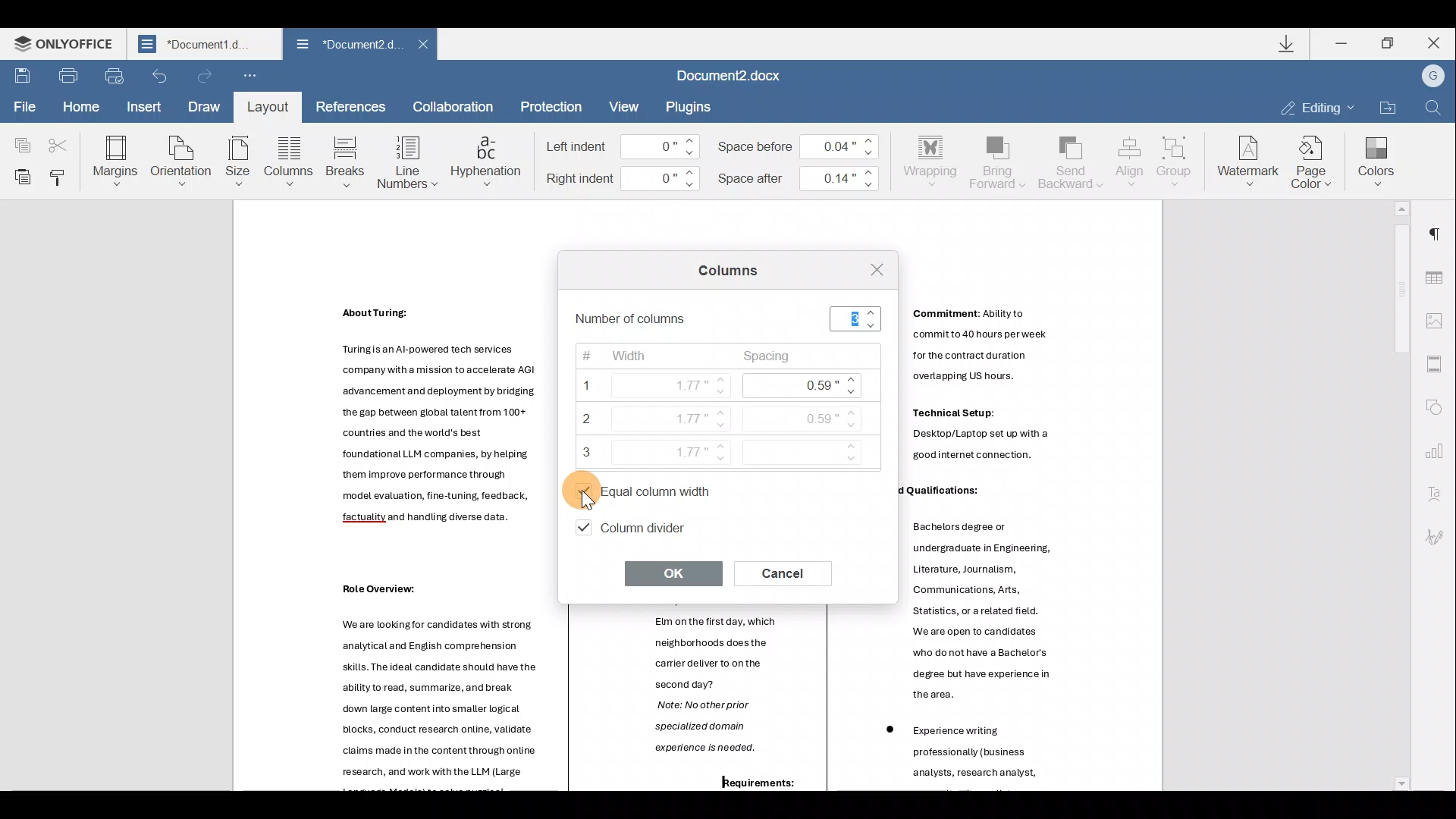  Describe the element at coordinates (1434, 42) in the screenshot. I see `Close` at that location.